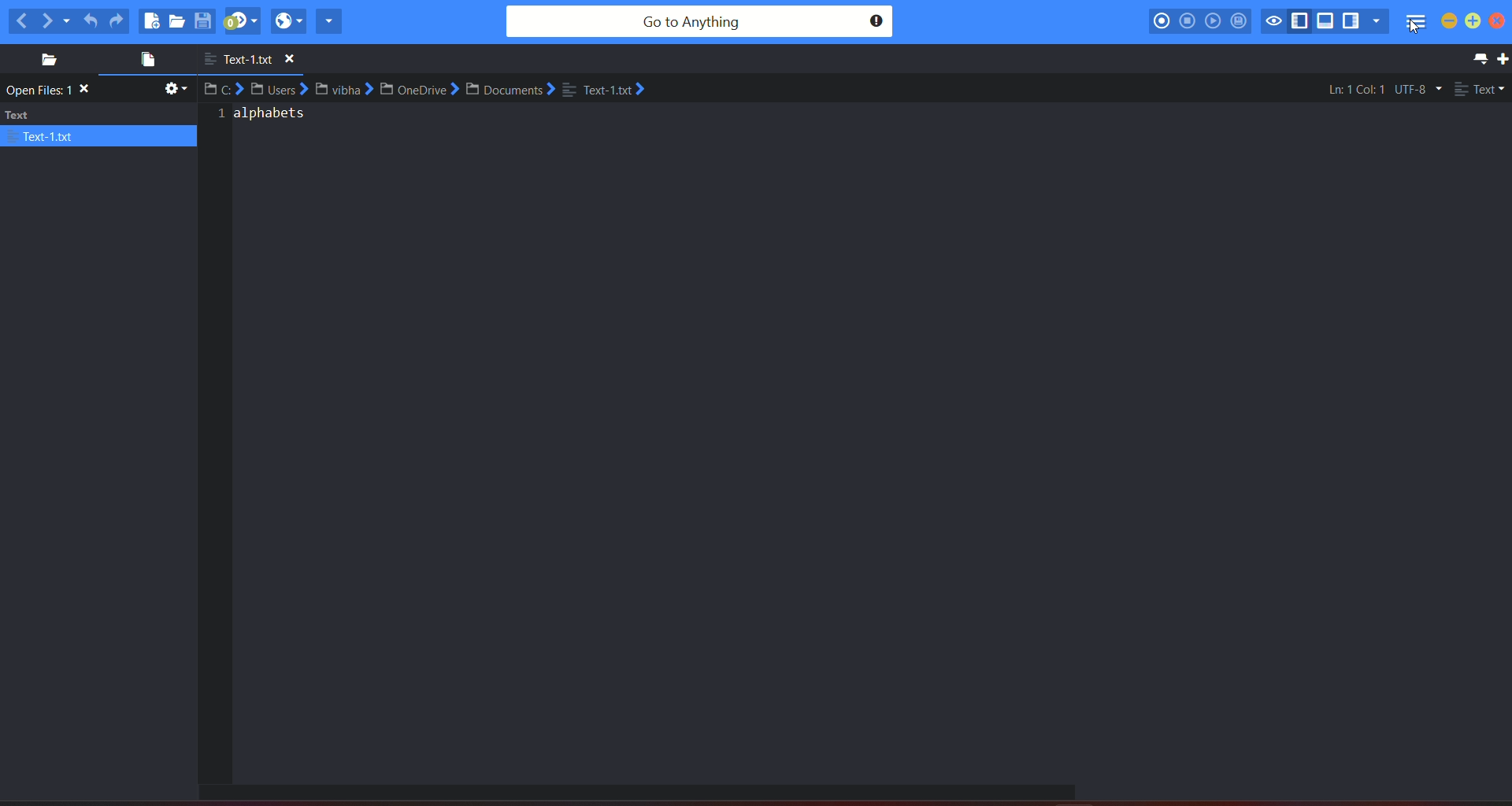 This screenshot has width=1512, height=806. Describe the element at coordinates (1351, 89) in the screenshot. I see `Ln:1 Col:1` at that location.